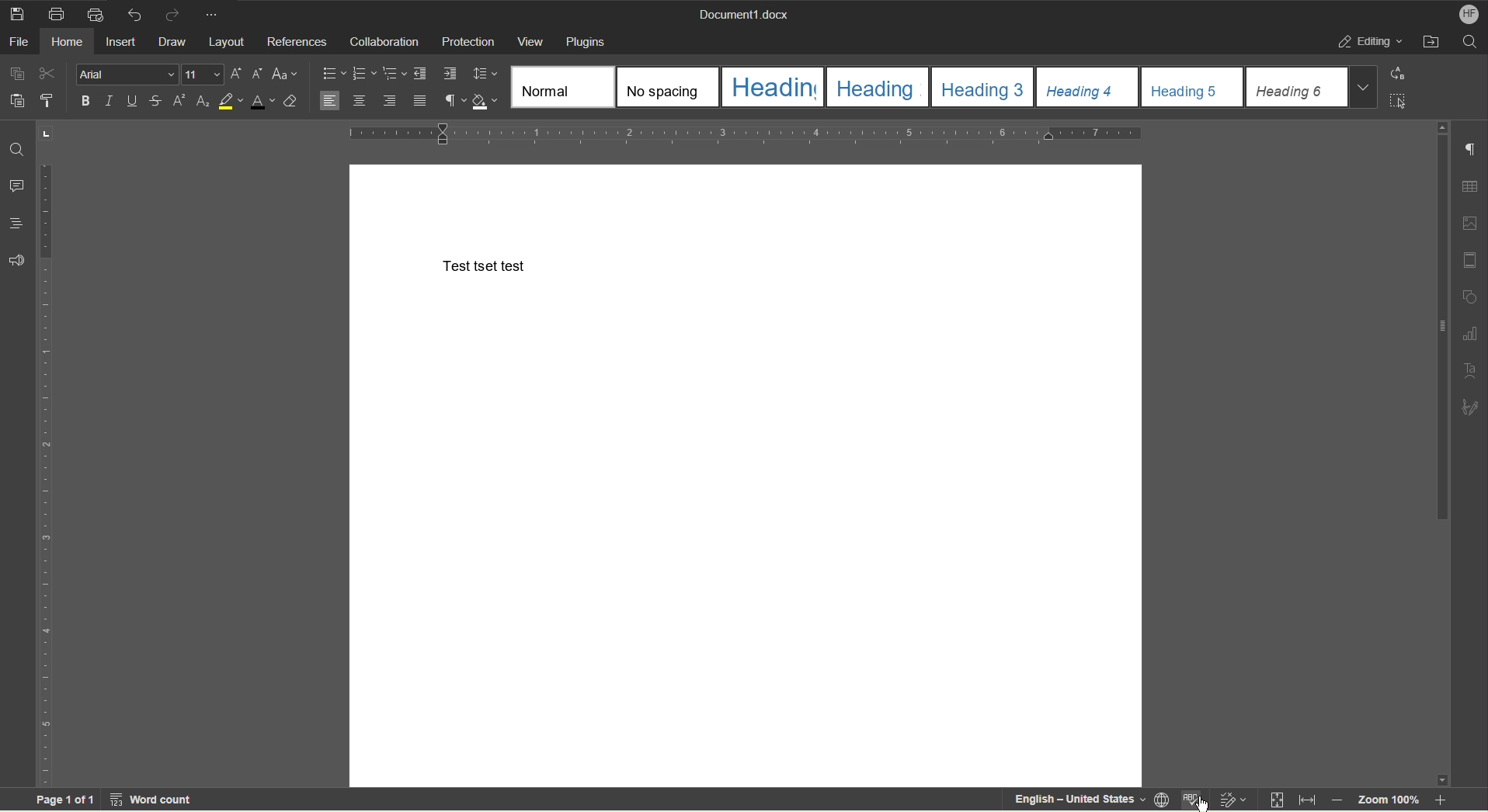 The width and height of the screenshot is (1488, 812). Describe the element at coordinates (17, 149) in the screenshot. I see `Find` at that location.